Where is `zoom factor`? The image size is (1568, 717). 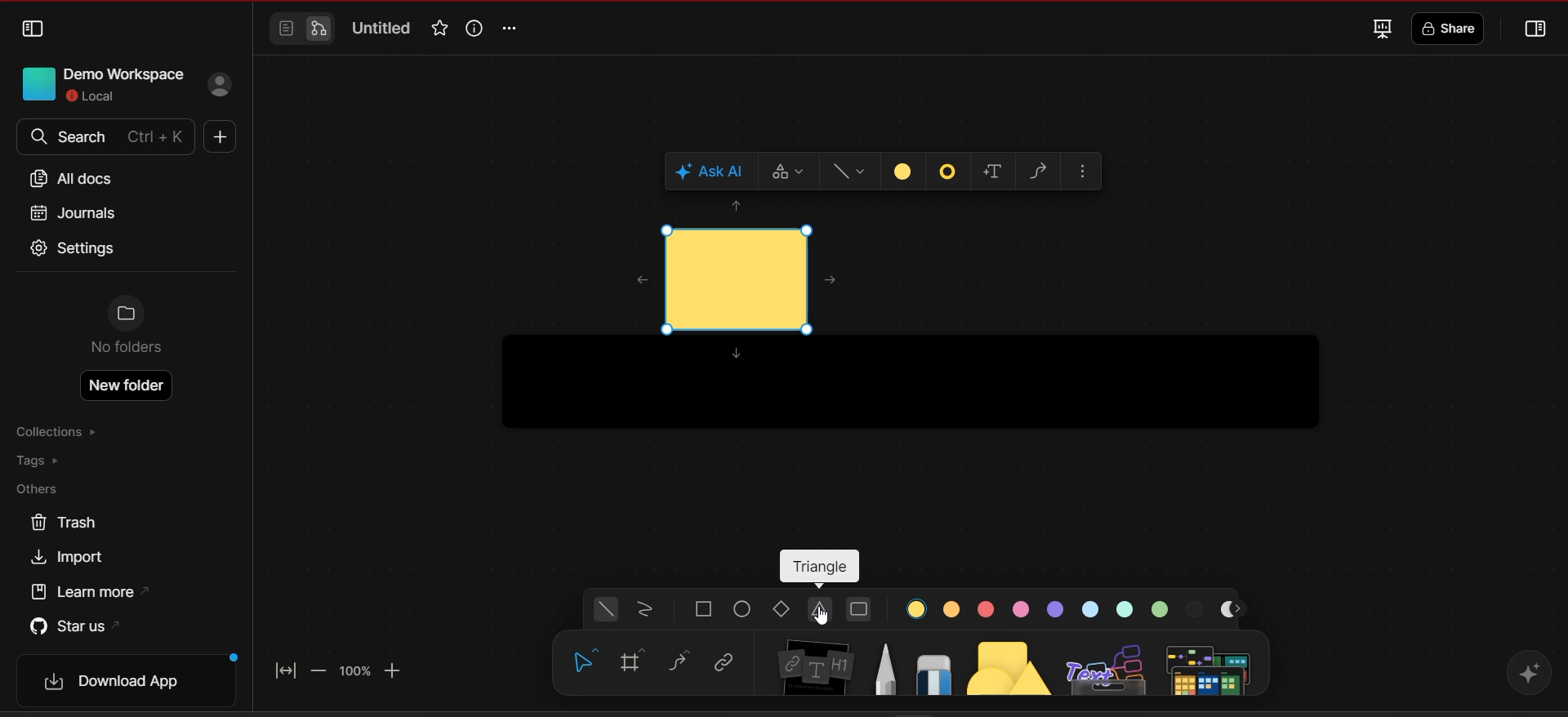
zoom factor is located at coordinates (354, 671).